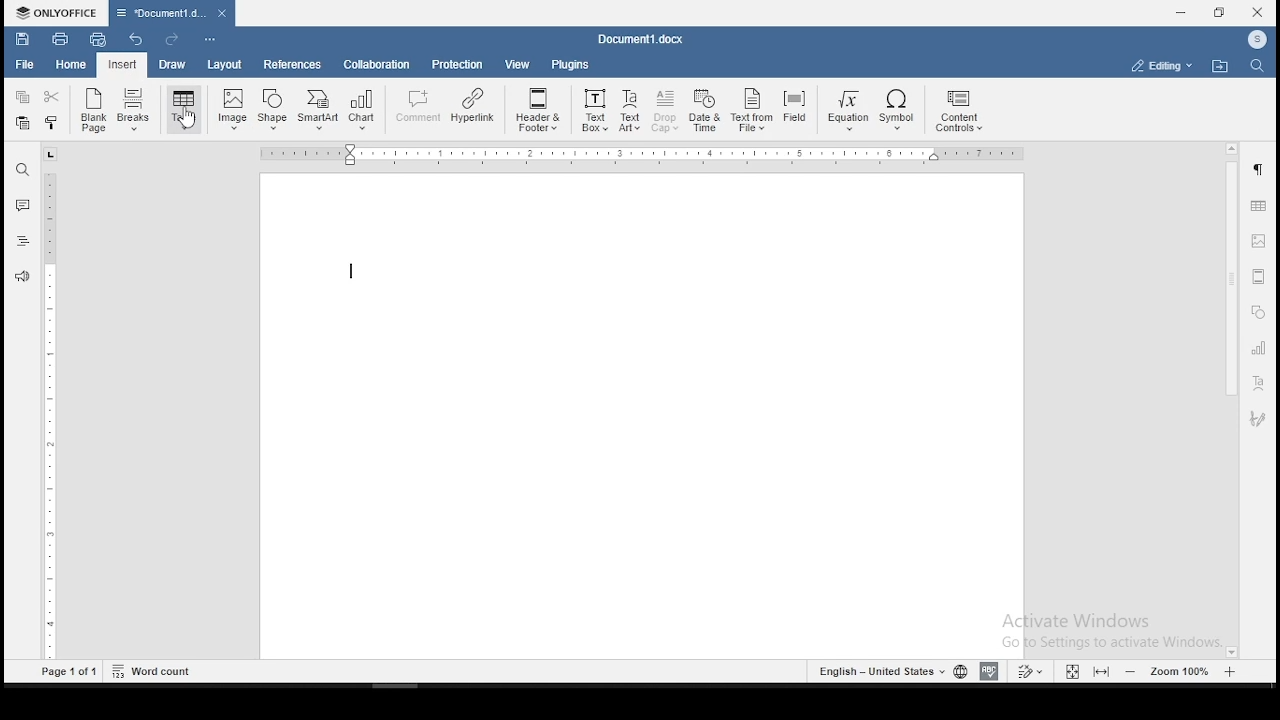  I want to click on open file location, so click(1220, 66).